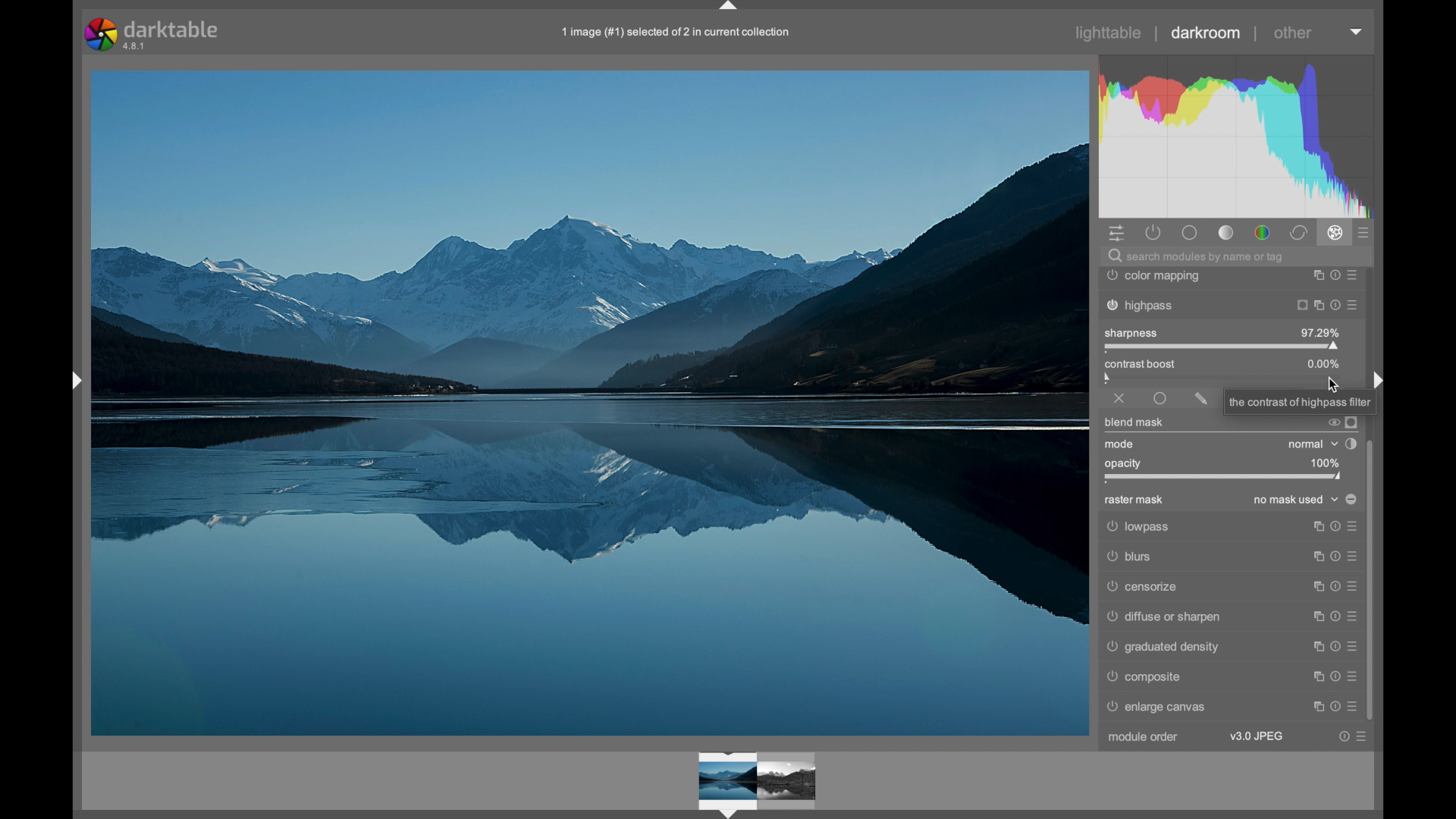  What do you see at coordinates (1364, 234) in the screenshot?
I see `presets` at bounding box center [1364, 234].